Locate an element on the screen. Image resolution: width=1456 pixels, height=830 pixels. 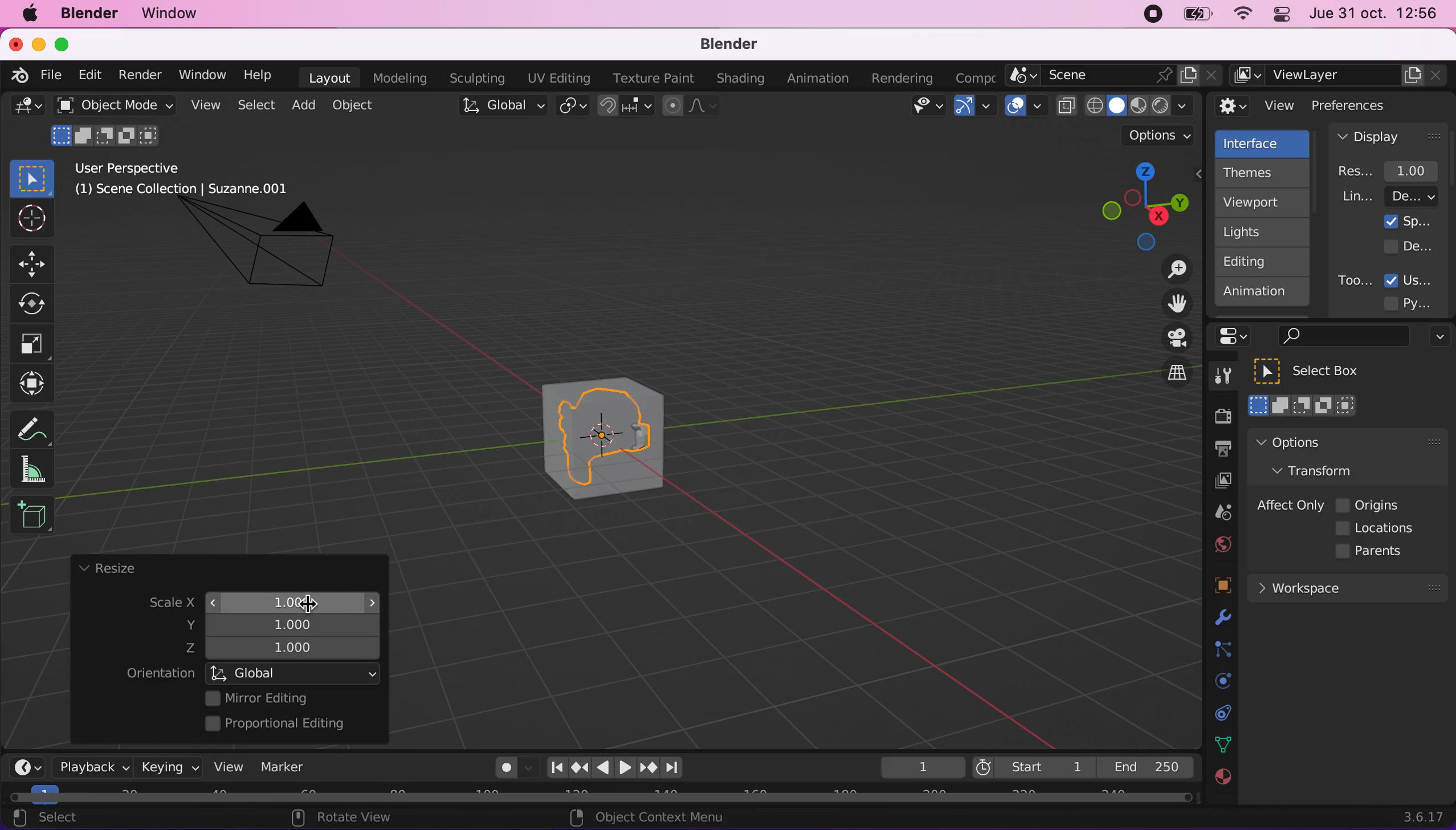
switch the current view is located at coordinates (1165, 383).